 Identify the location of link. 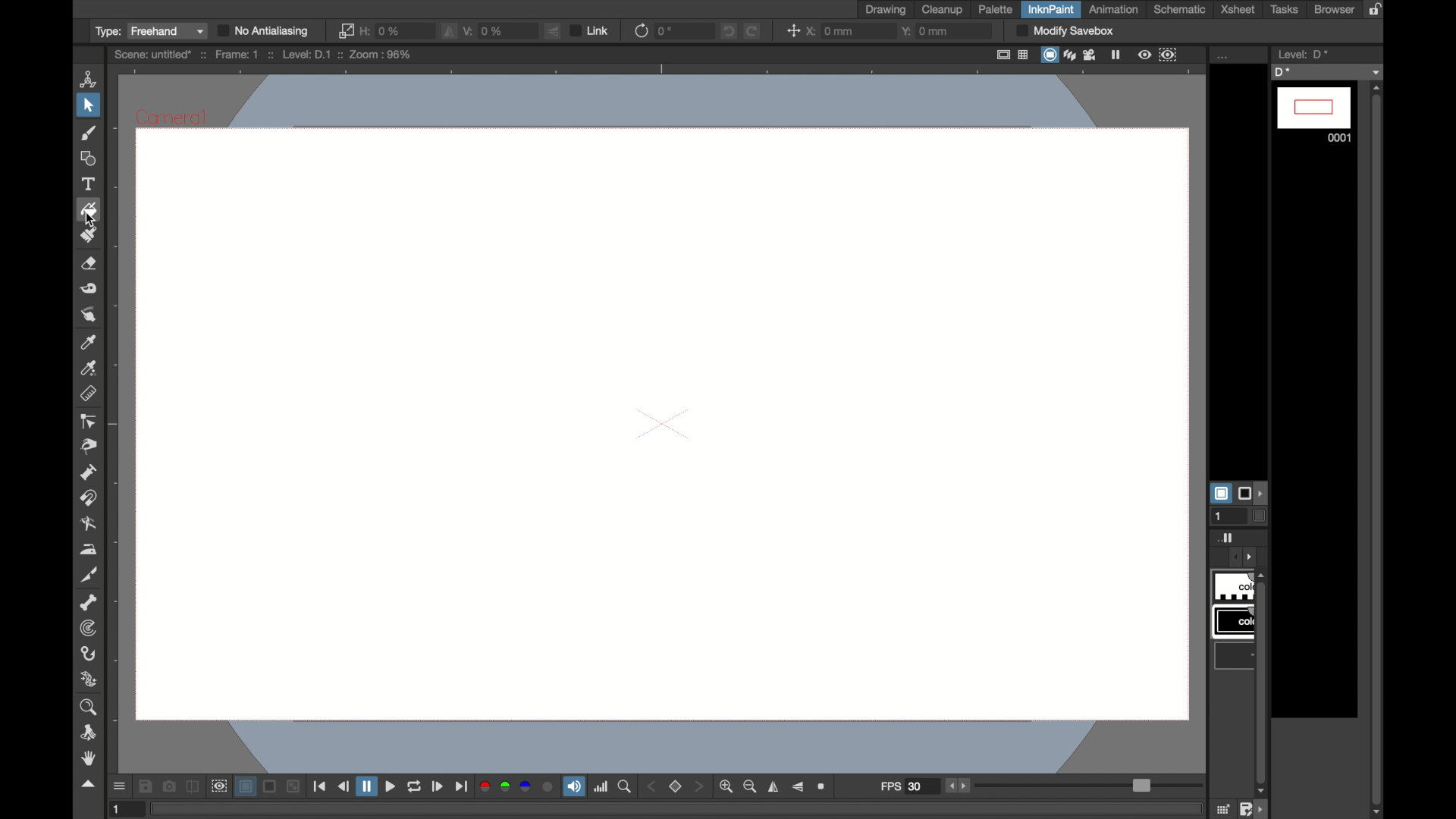
(591, 31).